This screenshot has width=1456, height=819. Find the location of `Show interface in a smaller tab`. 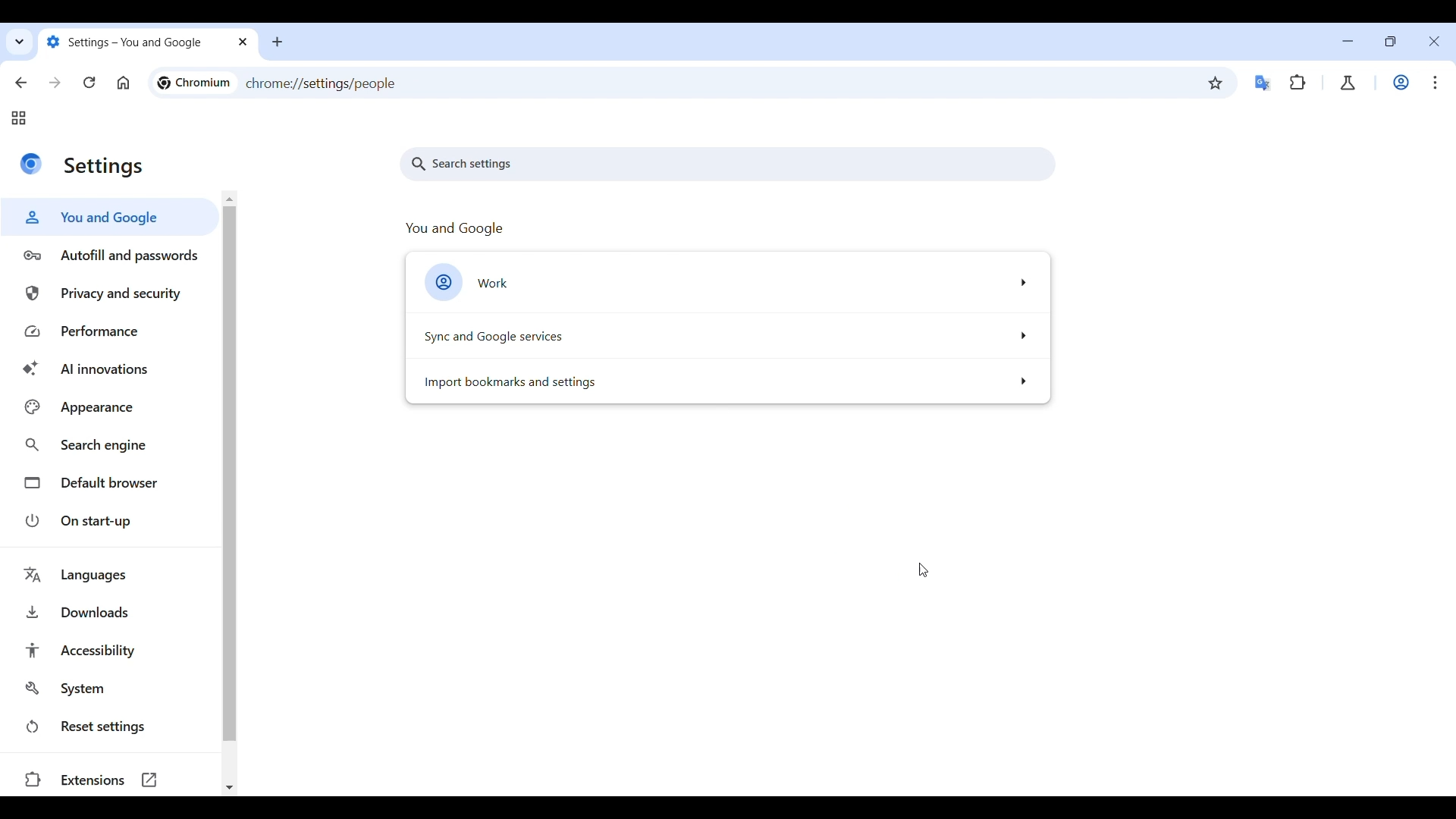

Show interface in a smaller tab is located at coordinates (1389, 42).